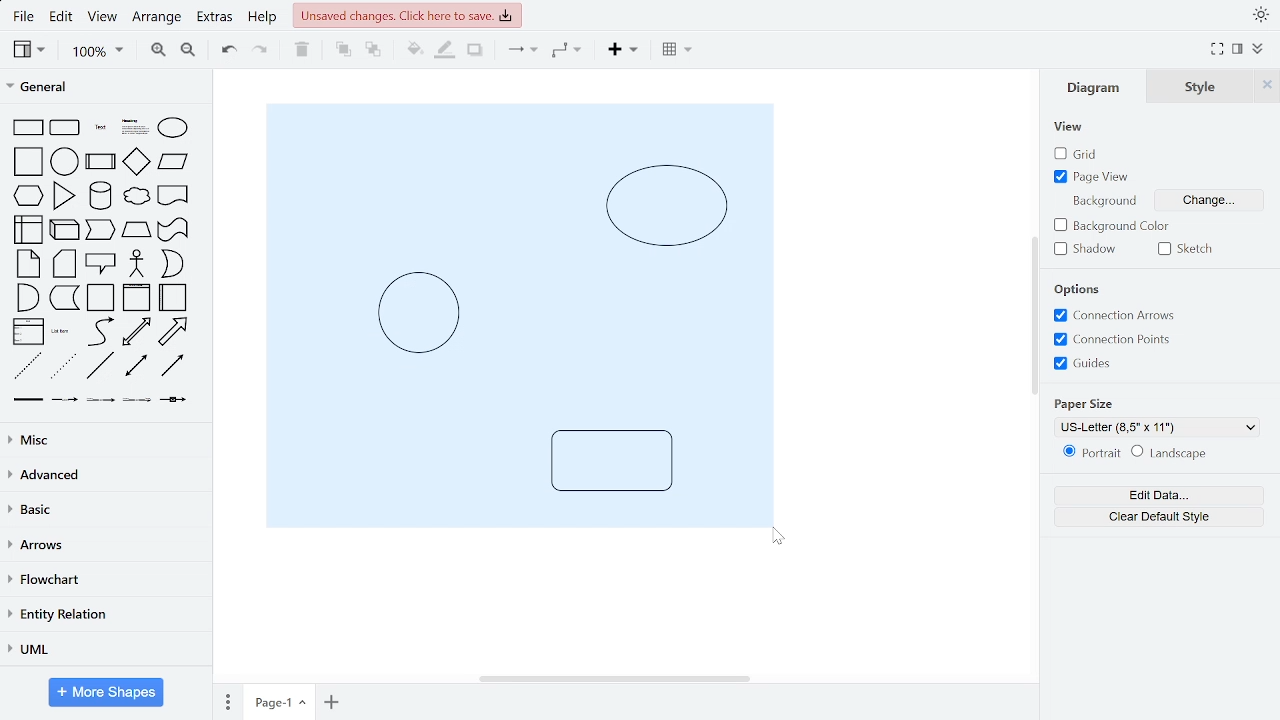 This screenshot has height=720, width=1280. I want to click on format, so click(1237, 49).